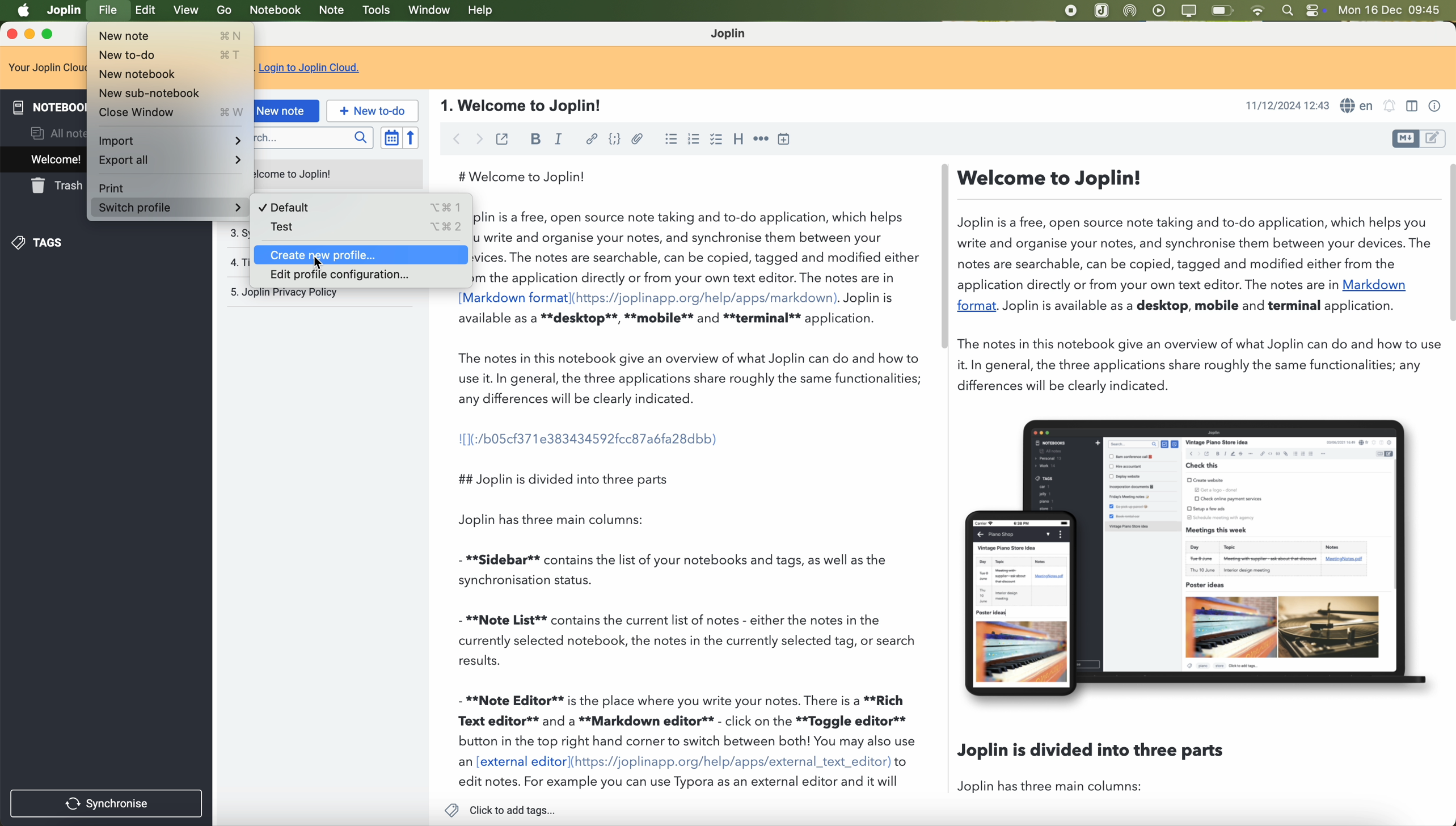 Image resolution: width=1456 pixels, height=826 pixels. What do you see at coordinates (680, 569) in the screenshot?
I see `- **Sidebar** contains the list of your notebooks and tags, as well as the
synchronisation status.` at bounding box center [680, 569].